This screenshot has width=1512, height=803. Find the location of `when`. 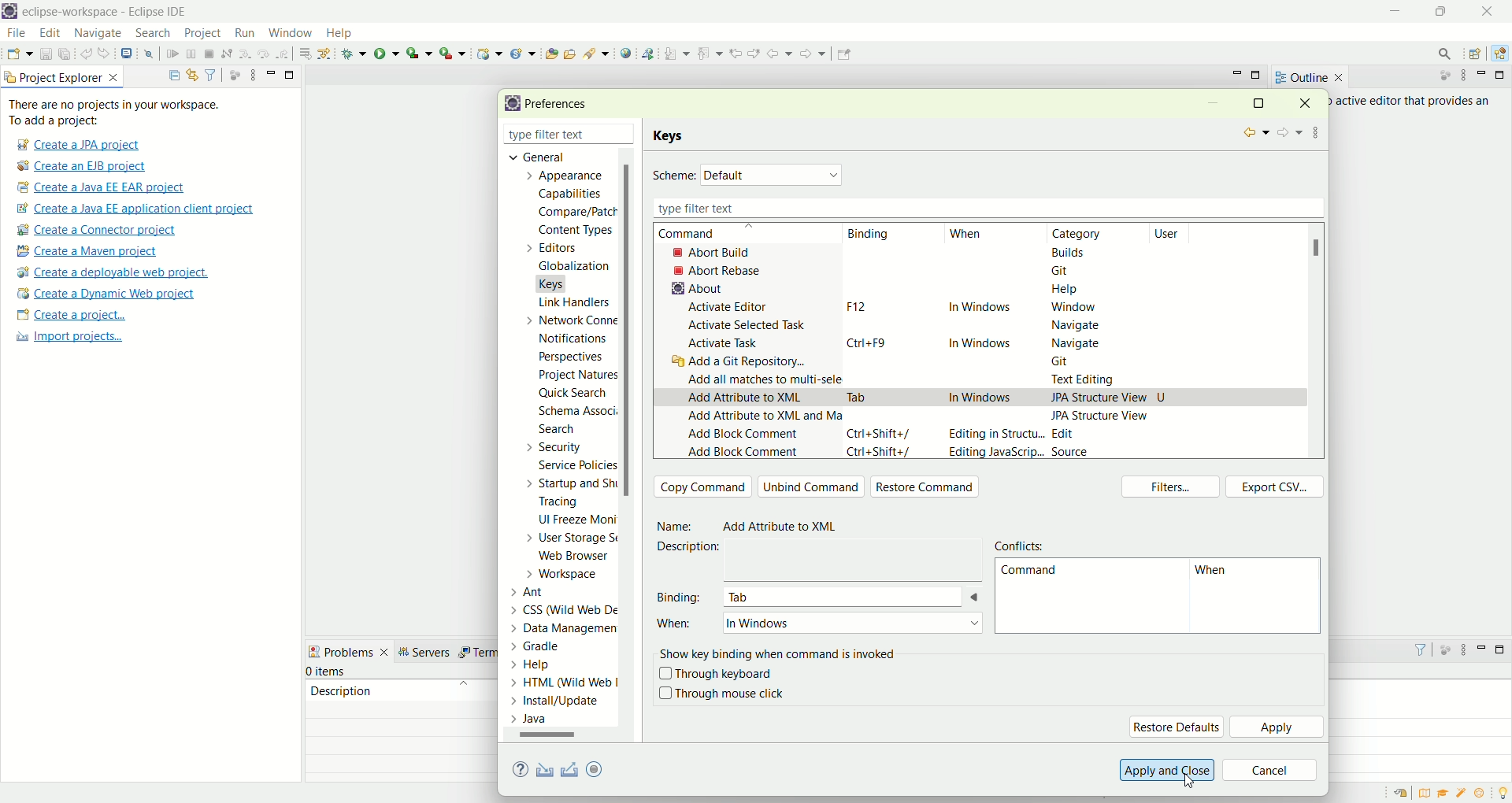

when is located at coordinates (966, 235).